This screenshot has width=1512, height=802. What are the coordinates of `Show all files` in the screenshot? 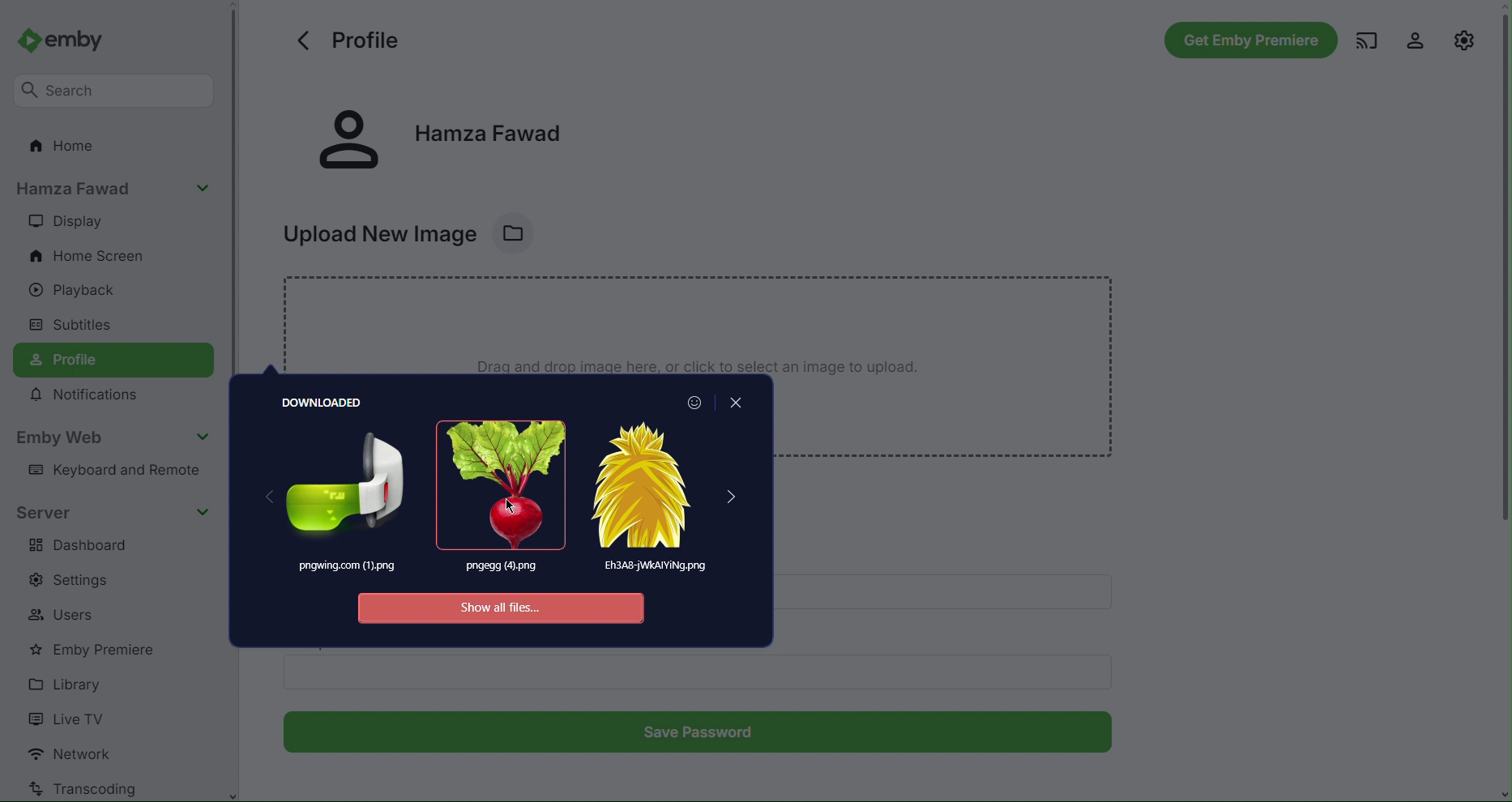 It's located at (503, 609).